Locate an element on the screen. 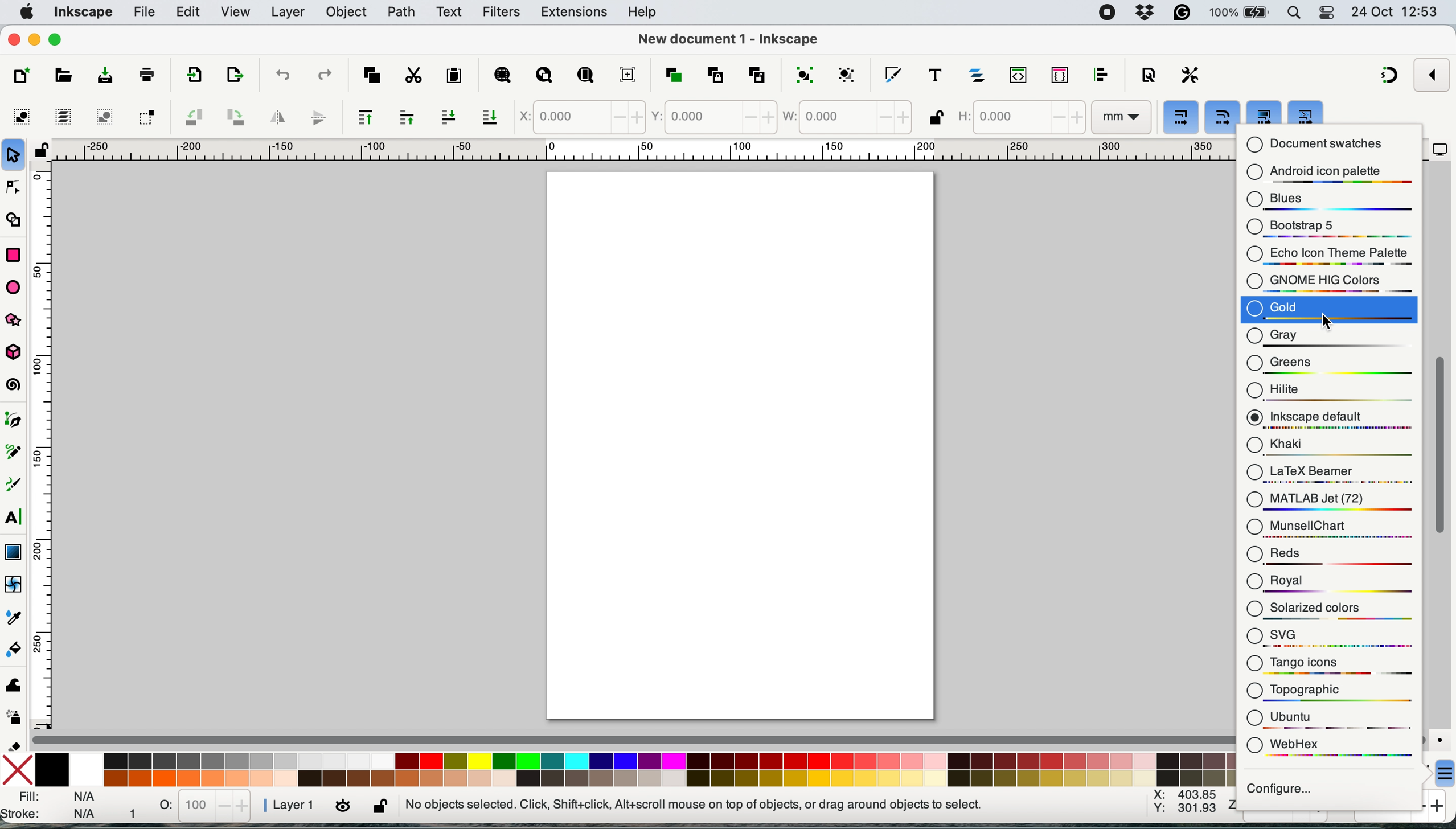  maximise is located at coordinates (57, 40).